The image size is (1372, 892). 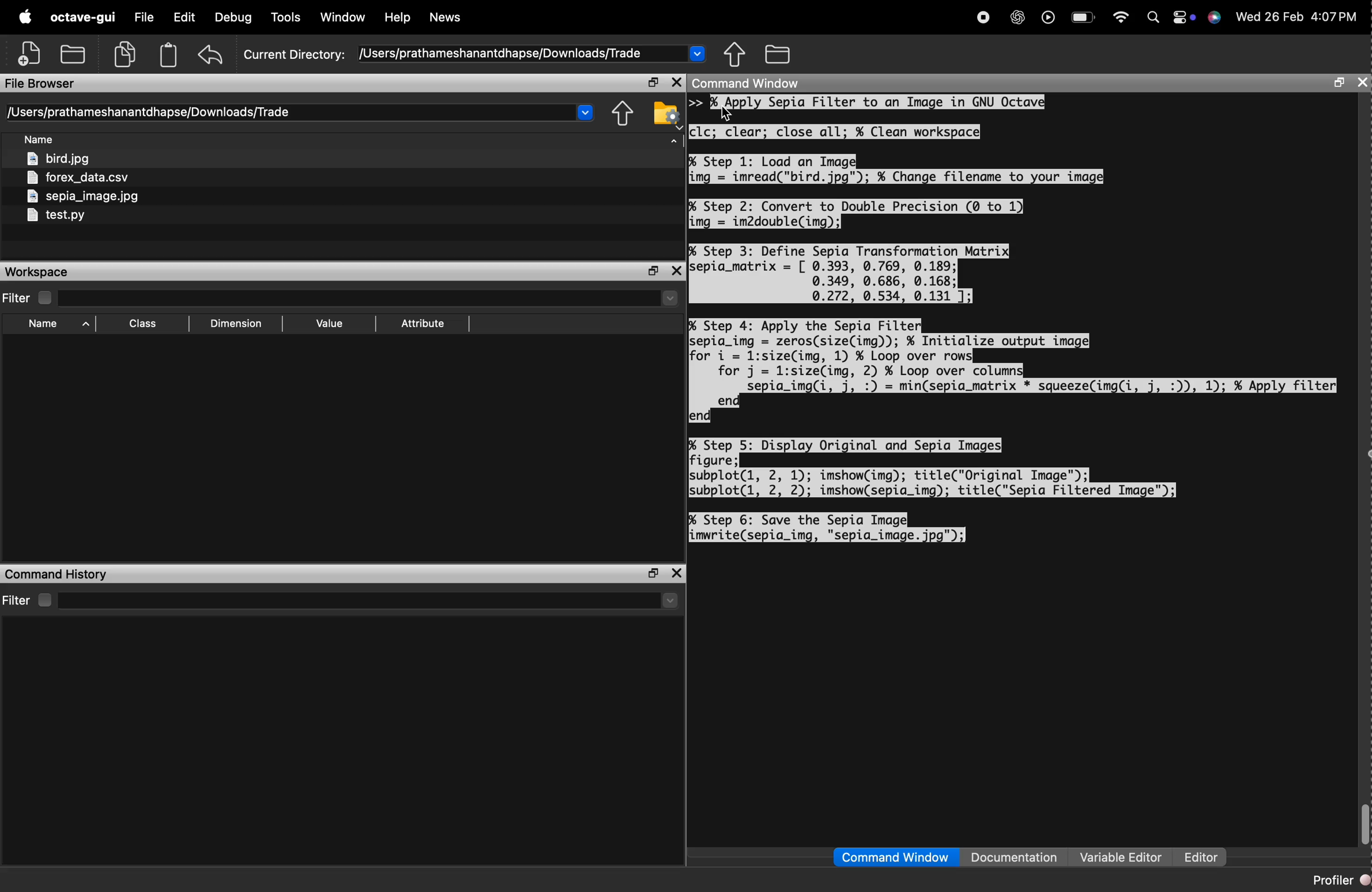 I want to click on >> 73 eel Sepia Filter to an Image in GNU Octave

clc; clear; close all; % Clean workspace

% Step 1: Load an Image

img = imread("bird.jpg"); % Change filename to your image}
% Step 2: Convert to Double Precision (@ to 1)

img = im2double(img);, so click(x=898, y=162).